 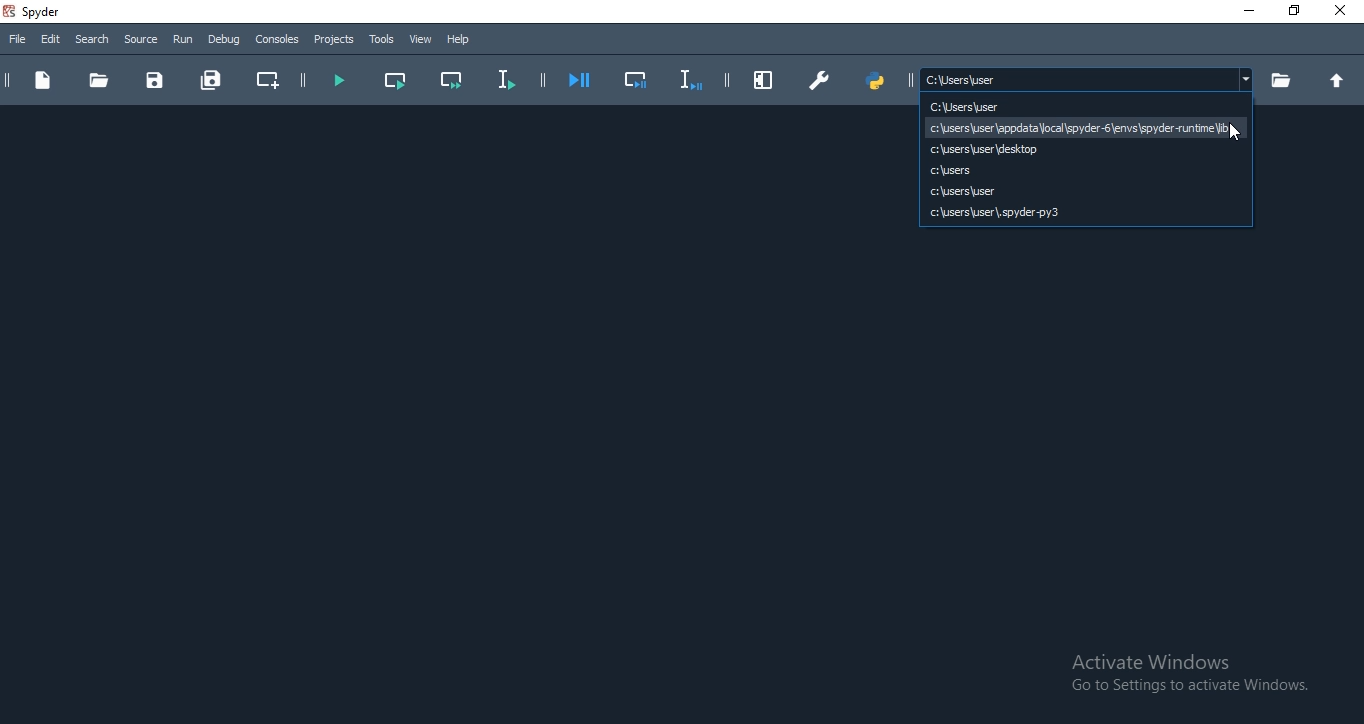 I want to click on C:\Users\user\appdata\local\spyder6\env\spyder-runtime\lib, so click(x=1084, y=127).